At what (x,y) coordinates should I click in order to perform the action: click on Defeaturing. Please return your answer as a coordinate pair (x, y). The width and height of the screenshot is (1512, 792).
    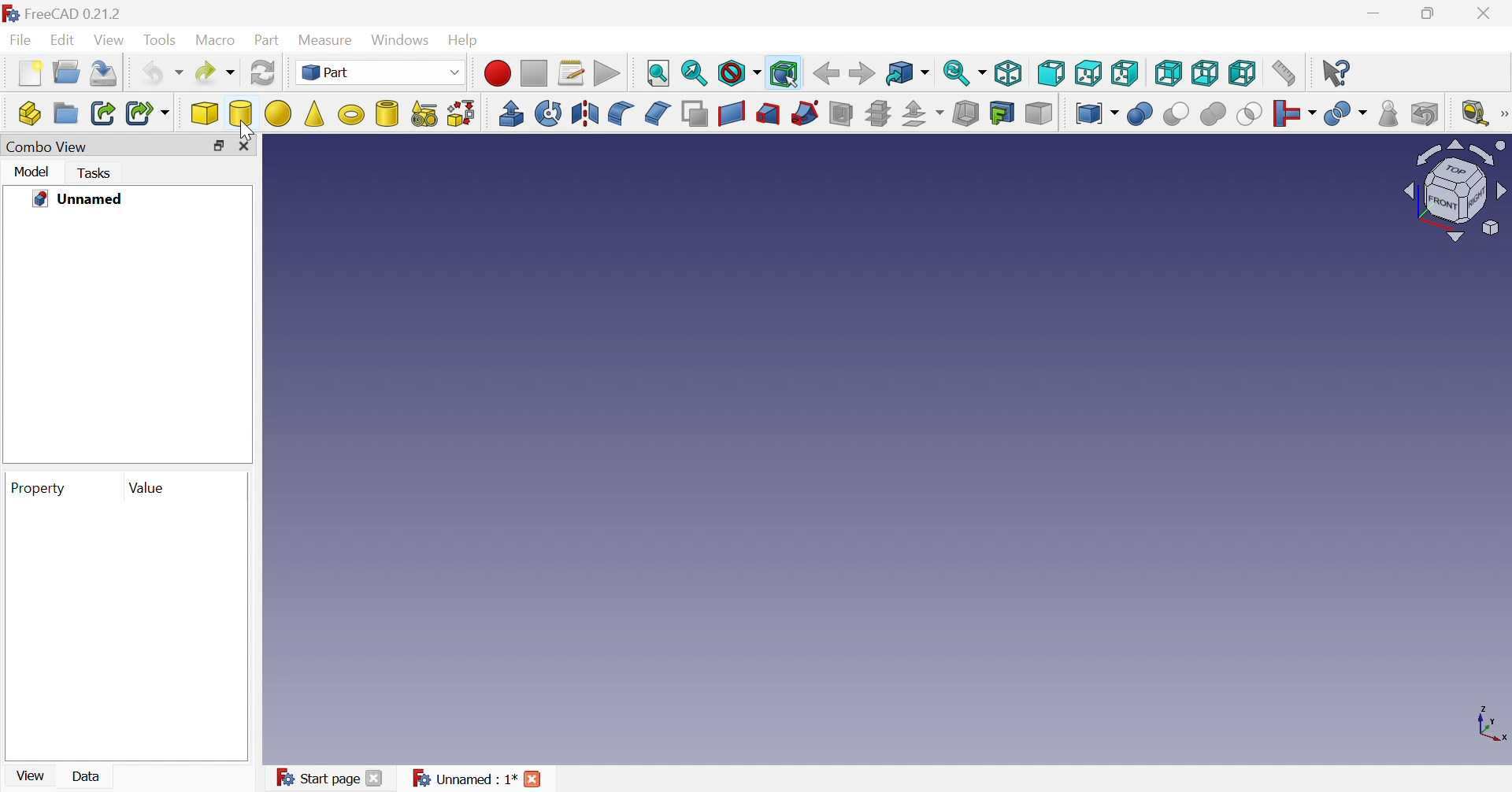
    Looking at the image, I should click on (1426, 113).